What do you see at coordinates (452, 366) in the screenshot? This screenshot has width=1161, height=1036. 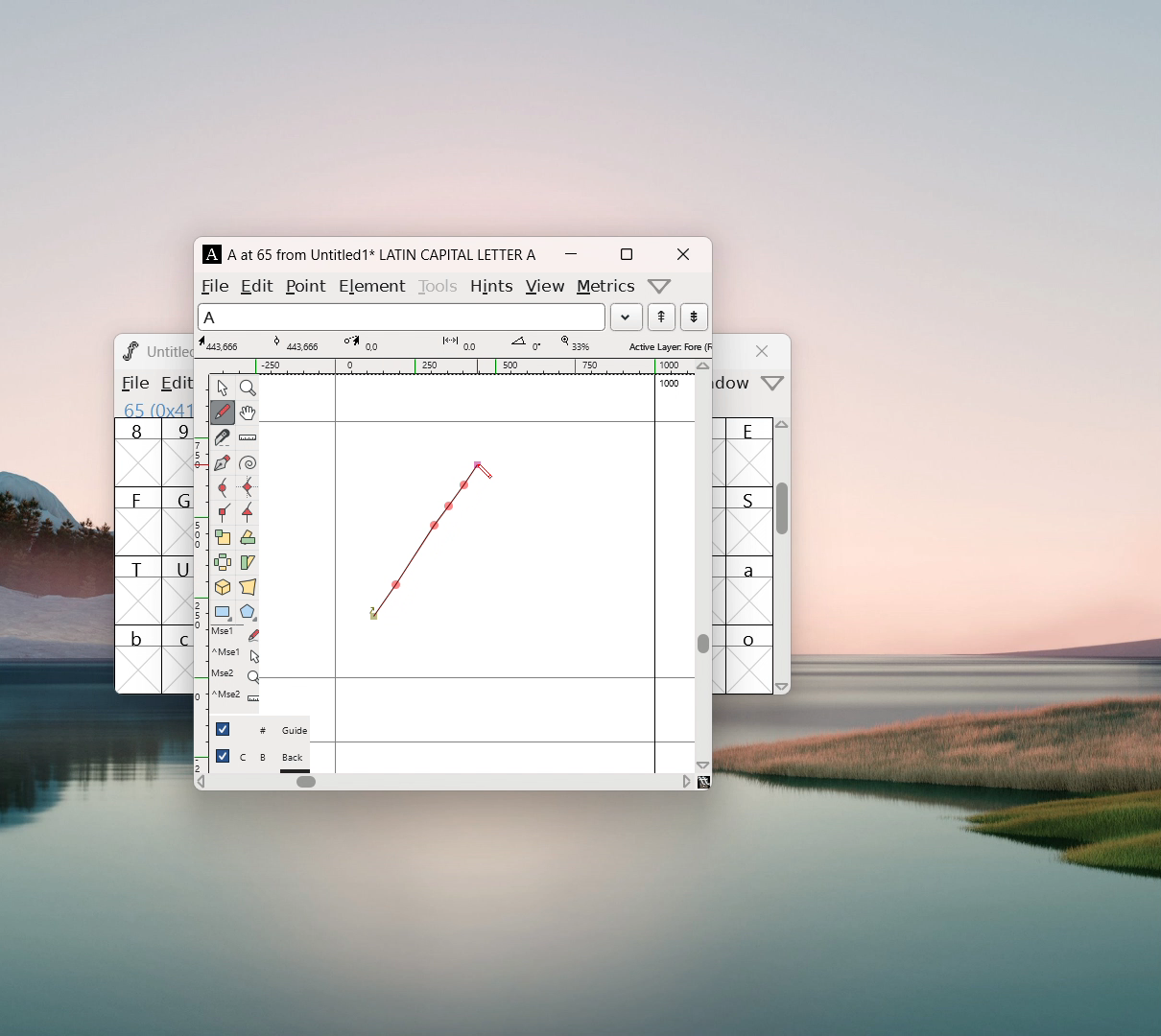 I see `horizontal ruler` at bounding box center [452, 366].